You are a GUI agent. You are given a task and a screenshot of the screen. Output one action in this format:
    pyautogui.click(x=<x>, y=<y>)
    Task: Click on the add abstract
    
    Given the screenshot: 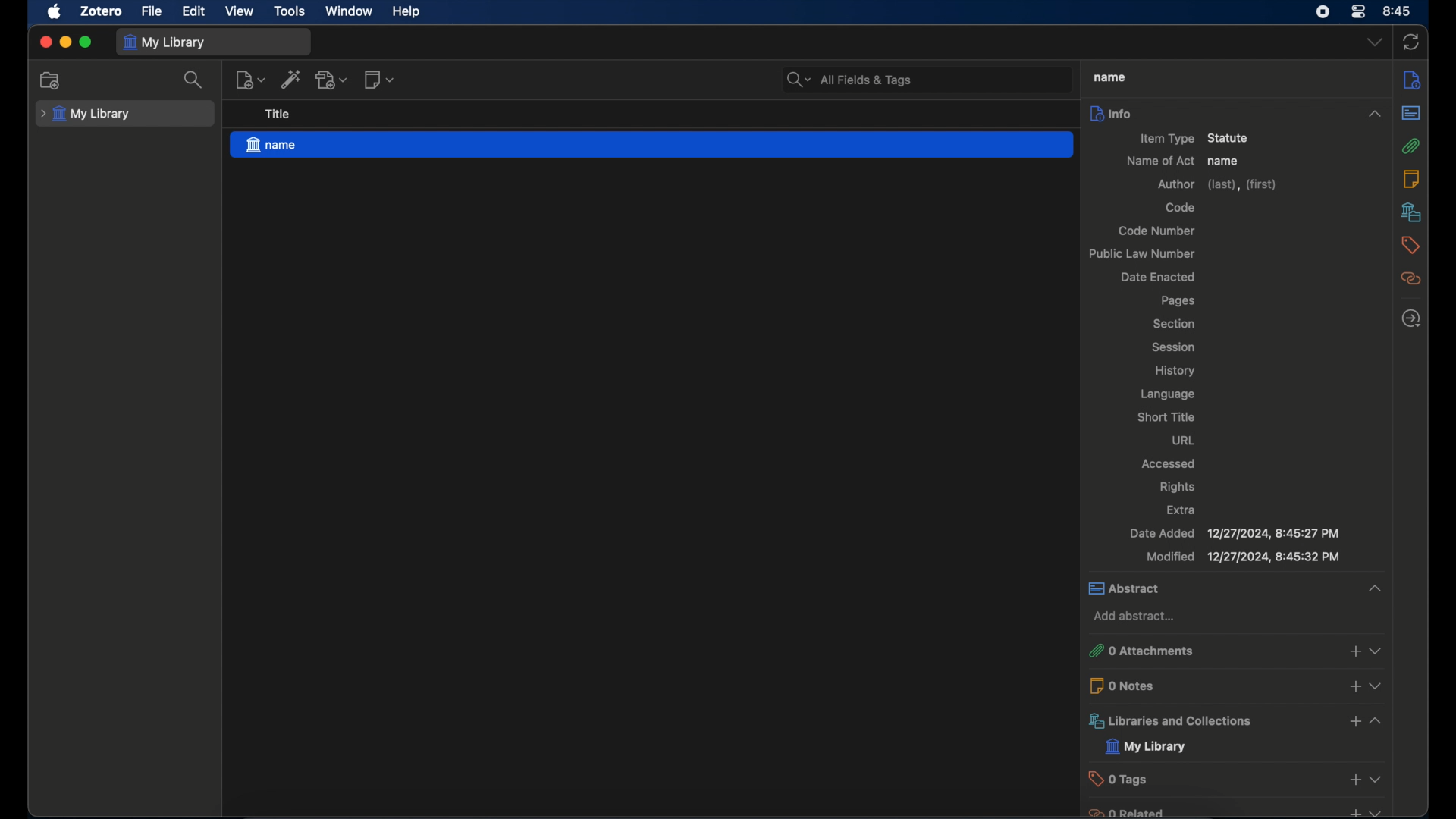 What is the action you would take?
    pyautogui.click(x=1137, y=617)
    